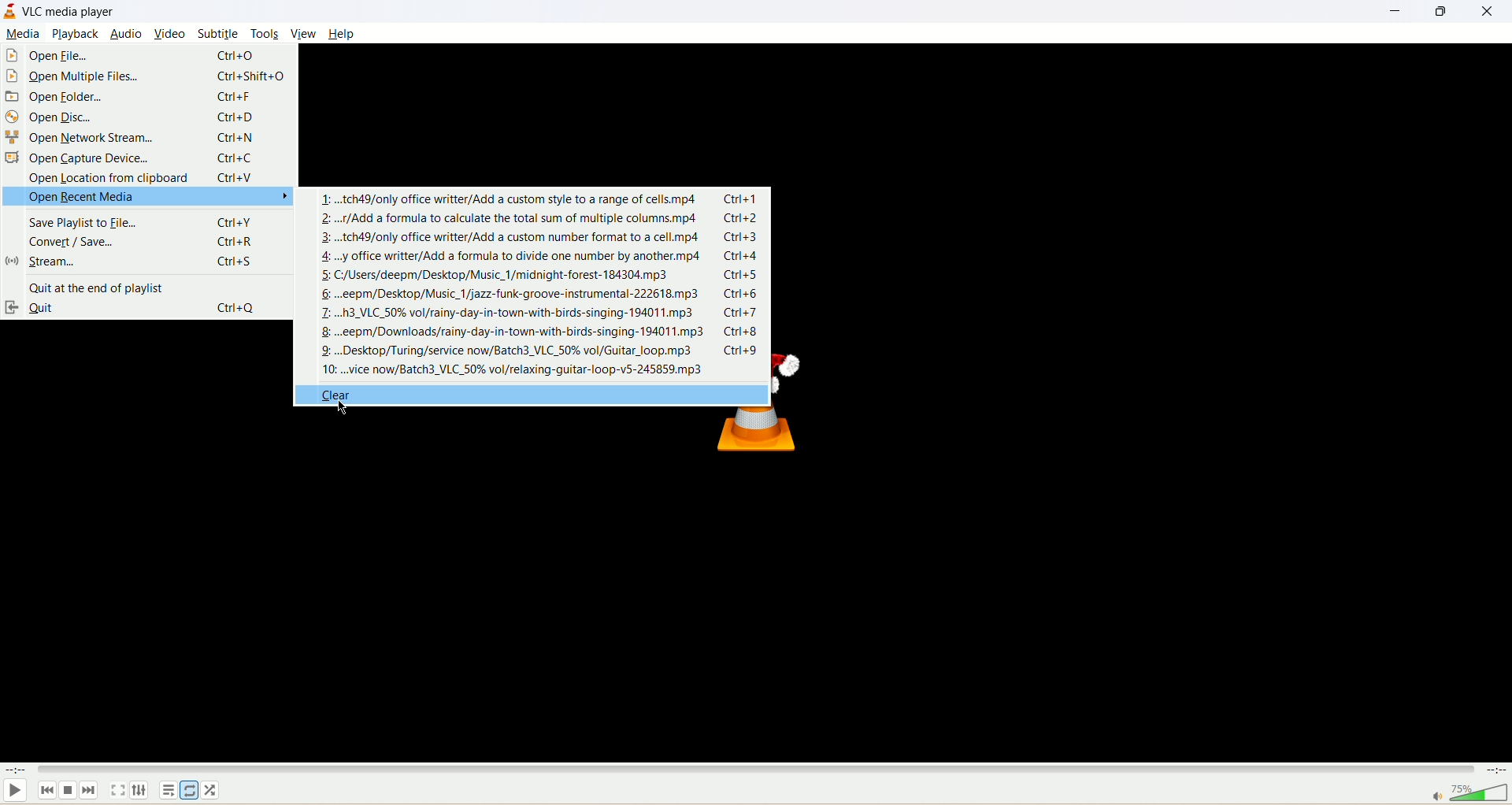 The image size is (1512, 805). Describe the element at coordinates (235, 138) in the screenshot. I see `ctrl+N` at that location.